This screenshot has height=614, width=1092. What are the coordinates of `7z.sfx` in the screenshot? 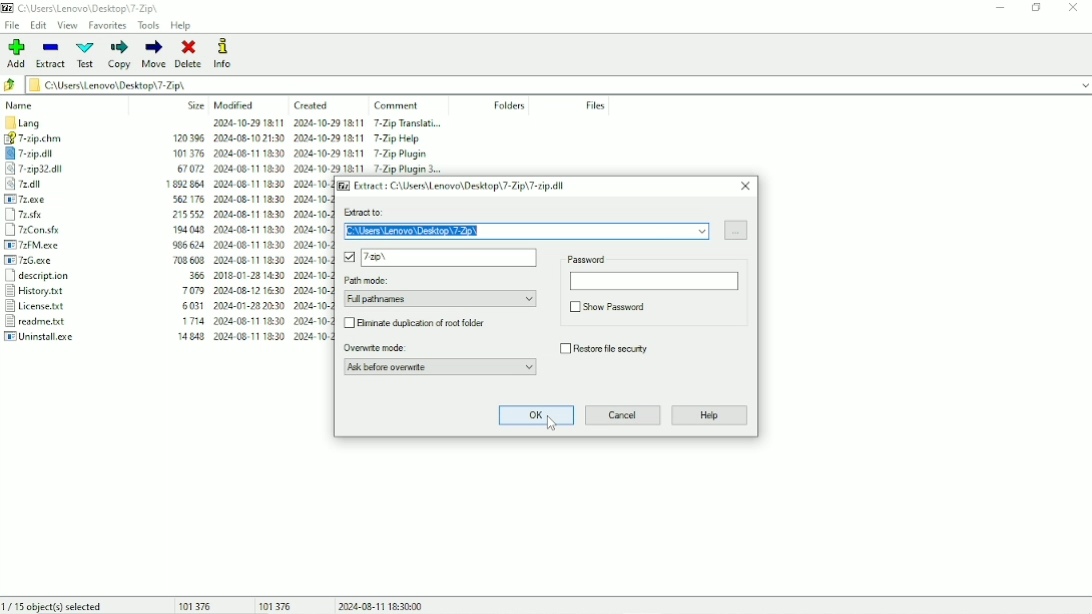 It's located at (72, 213).